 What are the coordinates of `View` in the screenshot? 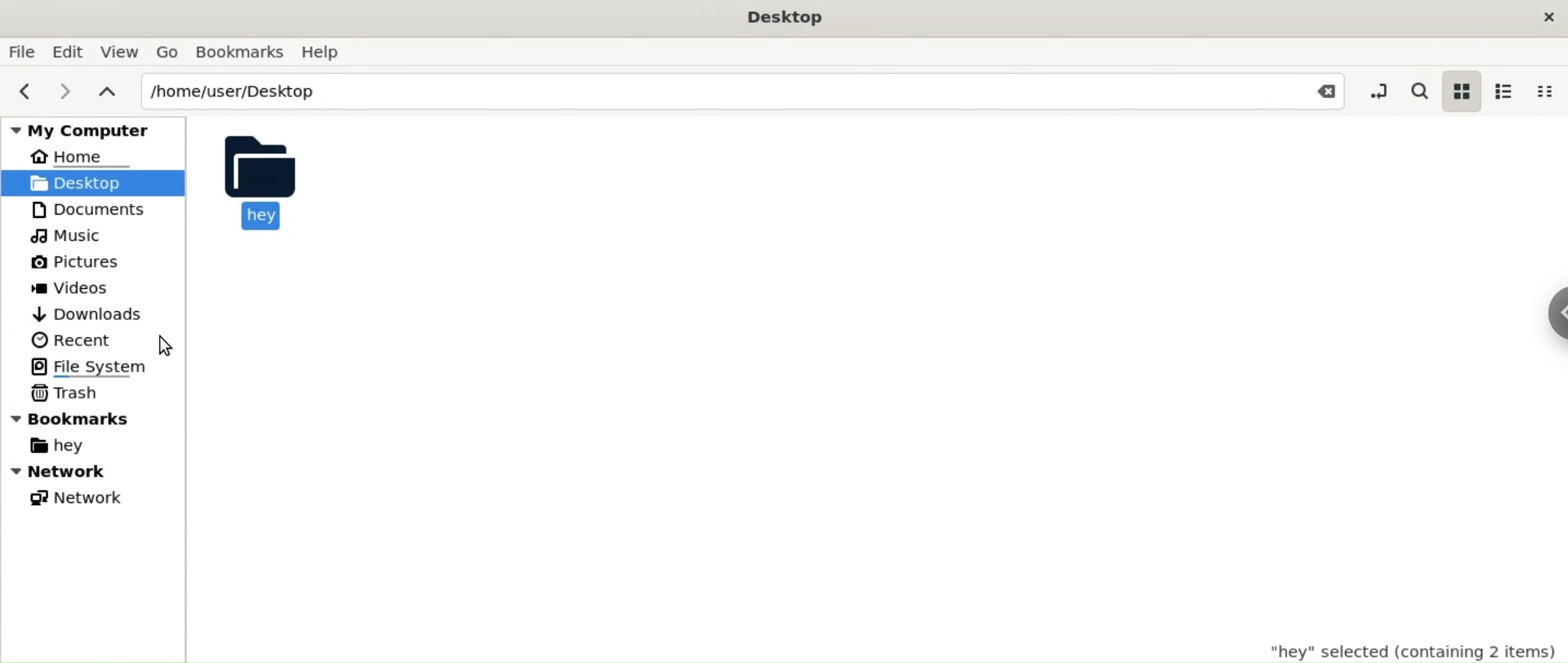 It's located at (120, 51).